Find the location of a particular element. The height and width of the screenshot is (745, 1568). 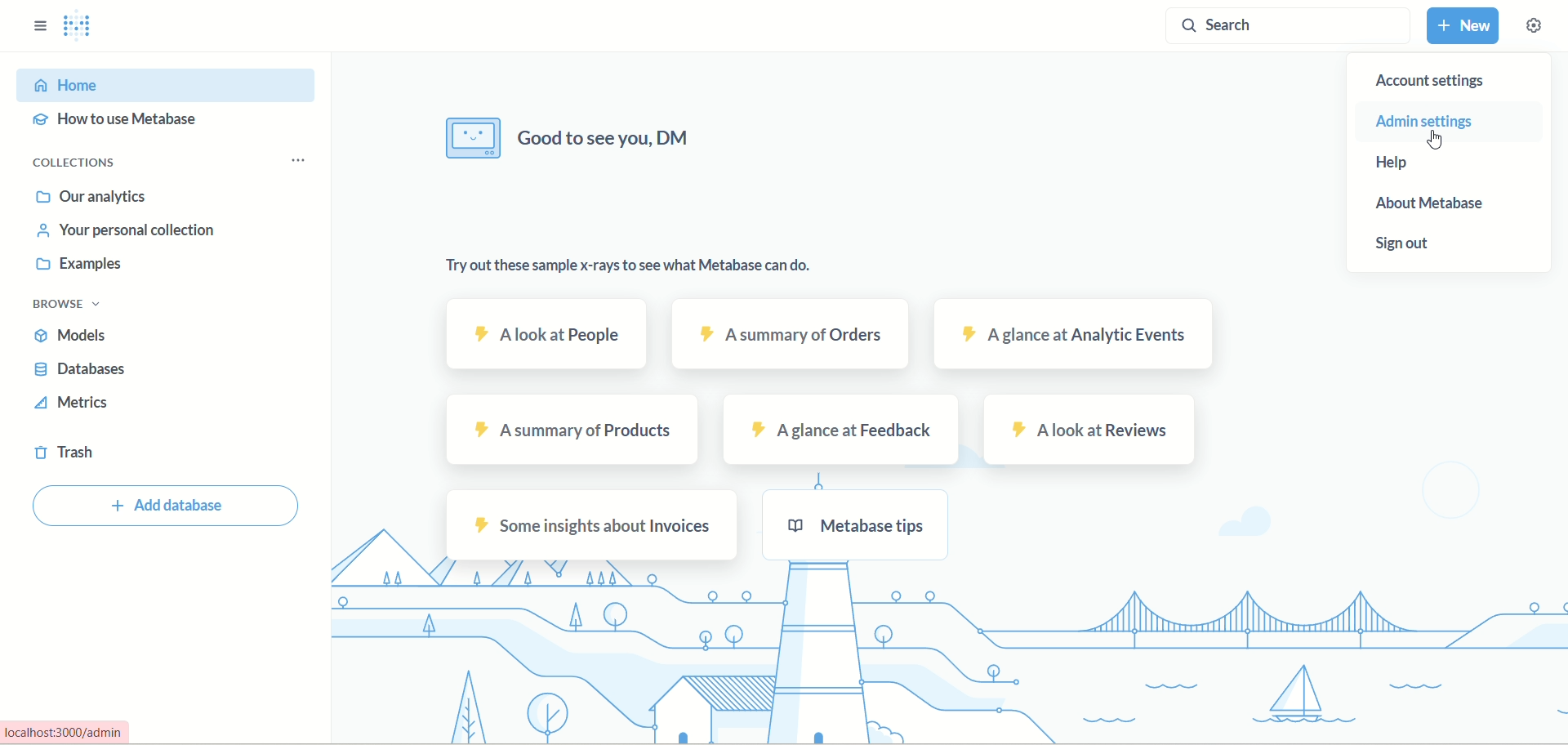

examples is located at coordinates (76, 265).